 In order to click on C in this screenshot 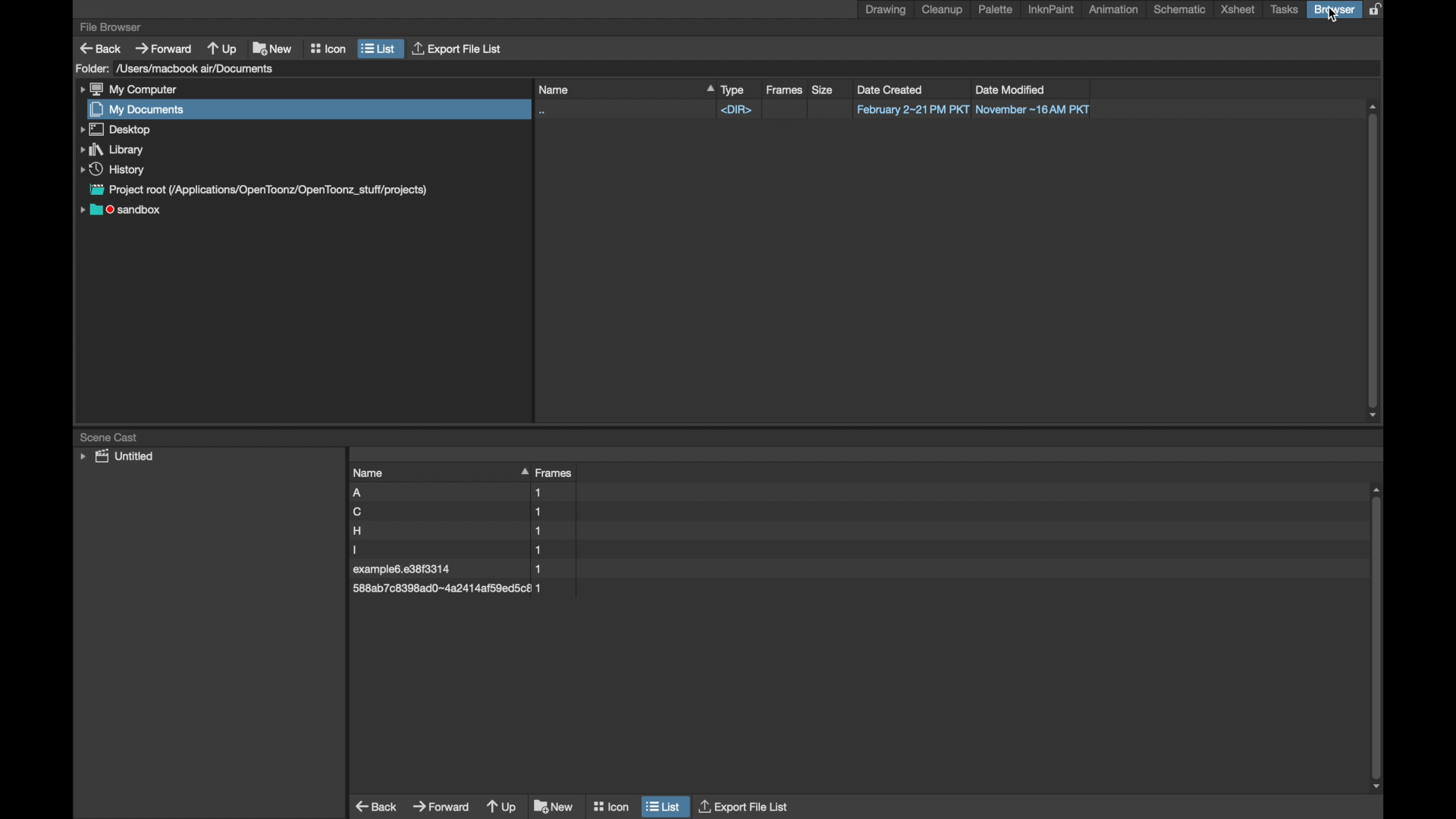, I will do `click(411, 512)`.